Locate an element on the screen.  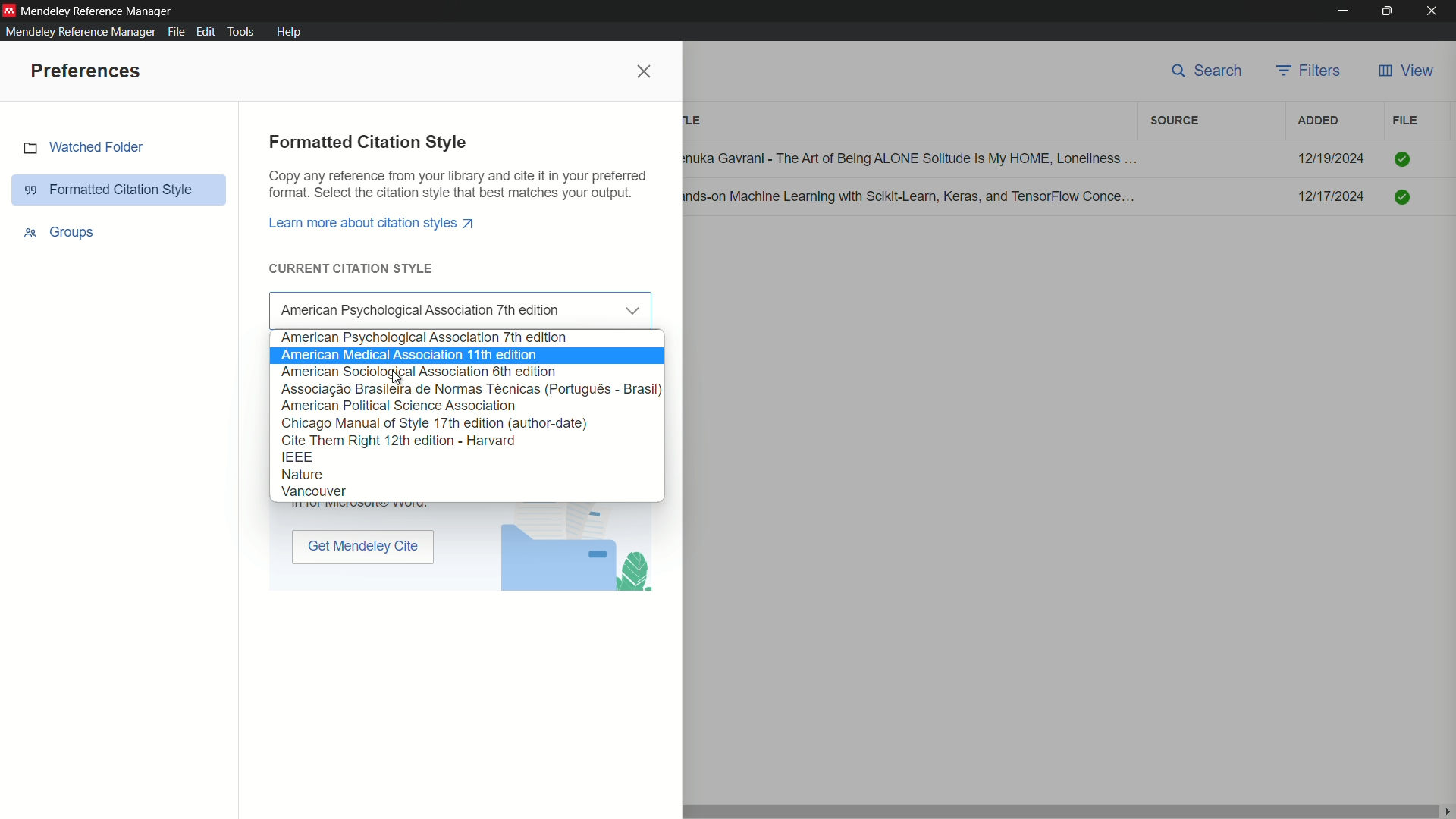
maximize is located at coordinates (1389, 11).